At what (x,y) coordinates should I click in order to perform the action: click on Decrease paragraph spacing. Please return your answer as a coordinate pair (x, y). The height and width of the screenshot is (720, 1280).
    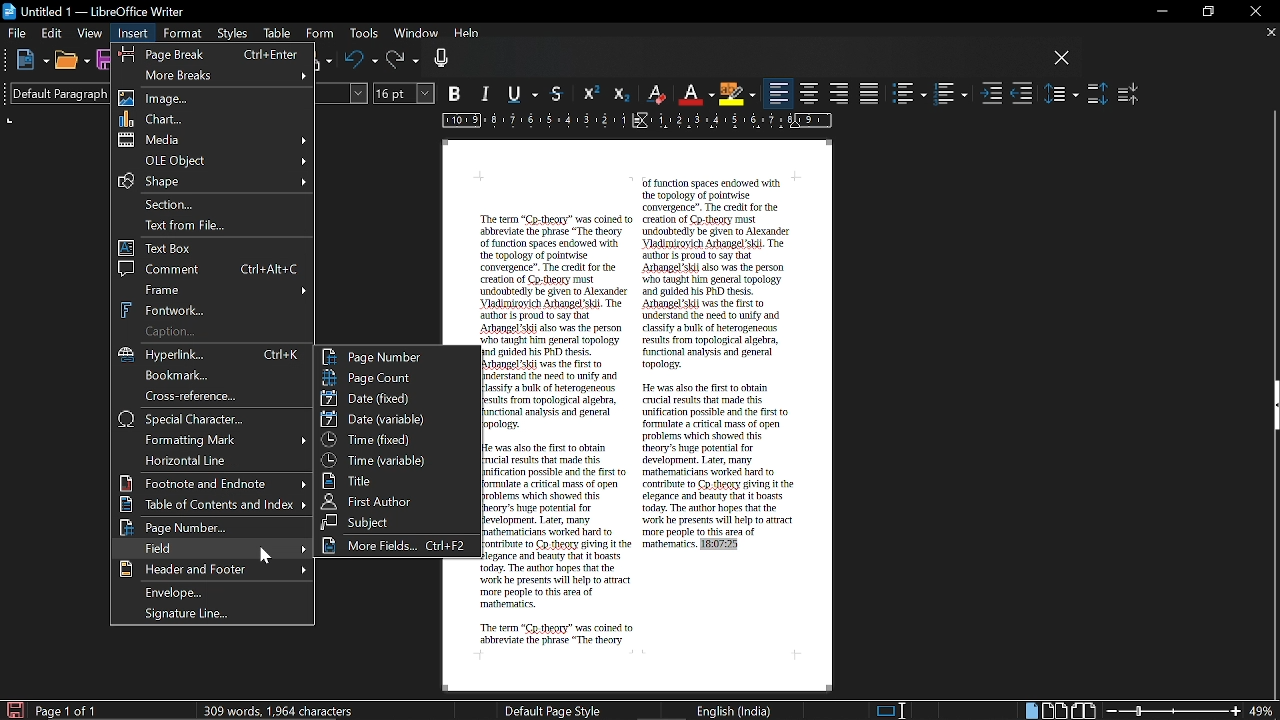
    Looking at the image, I should click on (1129, 93).